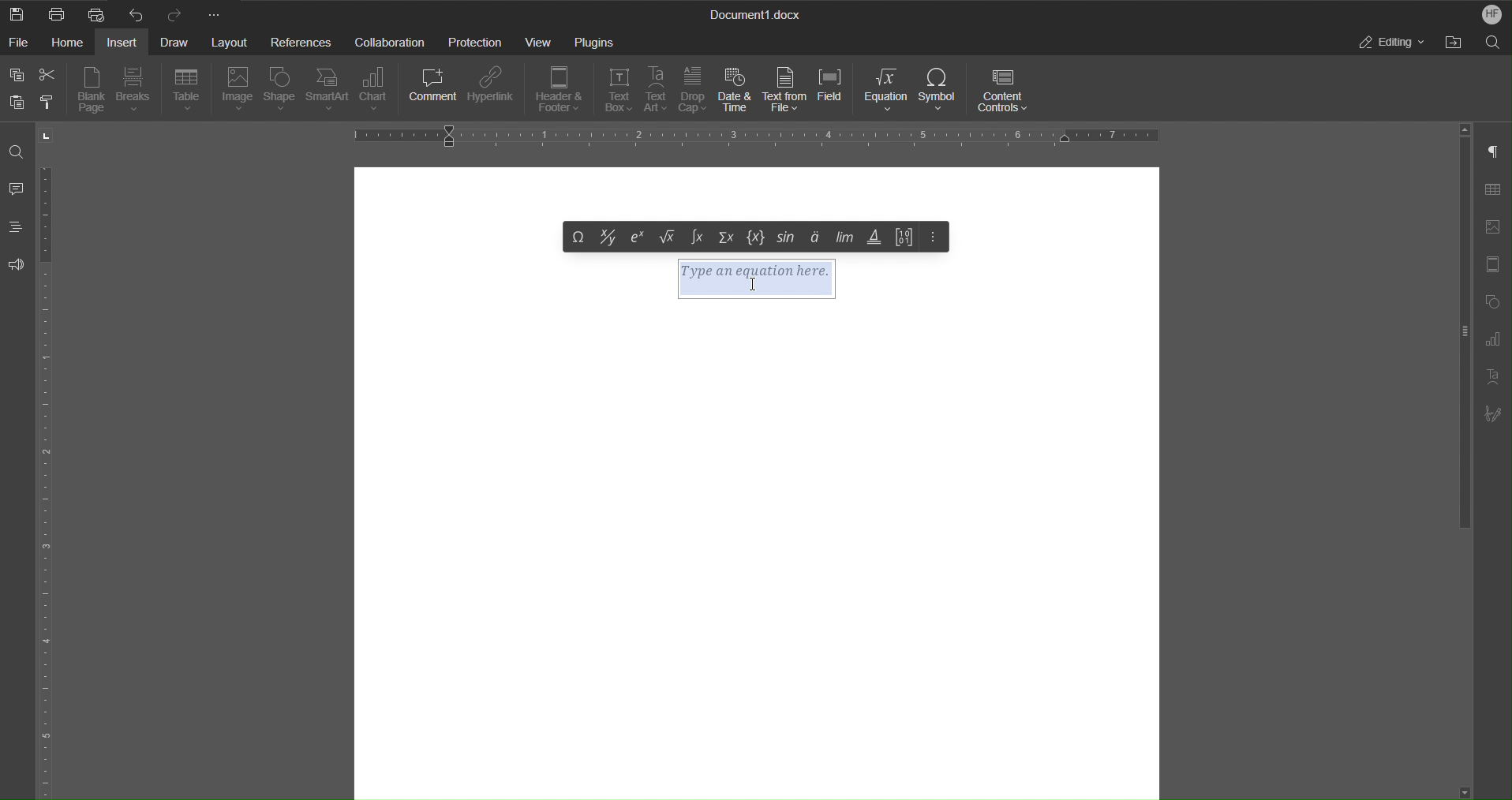 The image size is (1512, 800). I want to click on Headings, so click(18, 227).